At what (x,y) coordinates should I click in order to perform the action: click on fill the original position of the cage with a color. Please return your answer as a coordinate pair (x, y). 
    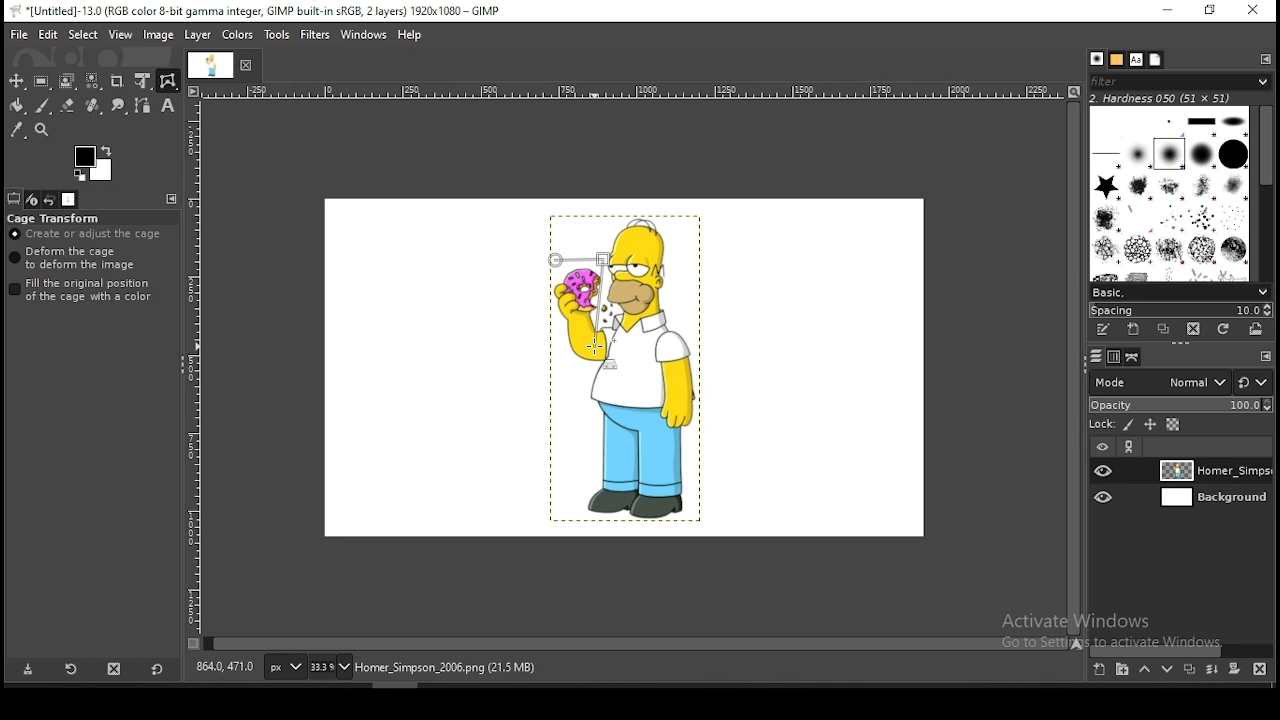
    Looking at the image, I should click on (86, 290).